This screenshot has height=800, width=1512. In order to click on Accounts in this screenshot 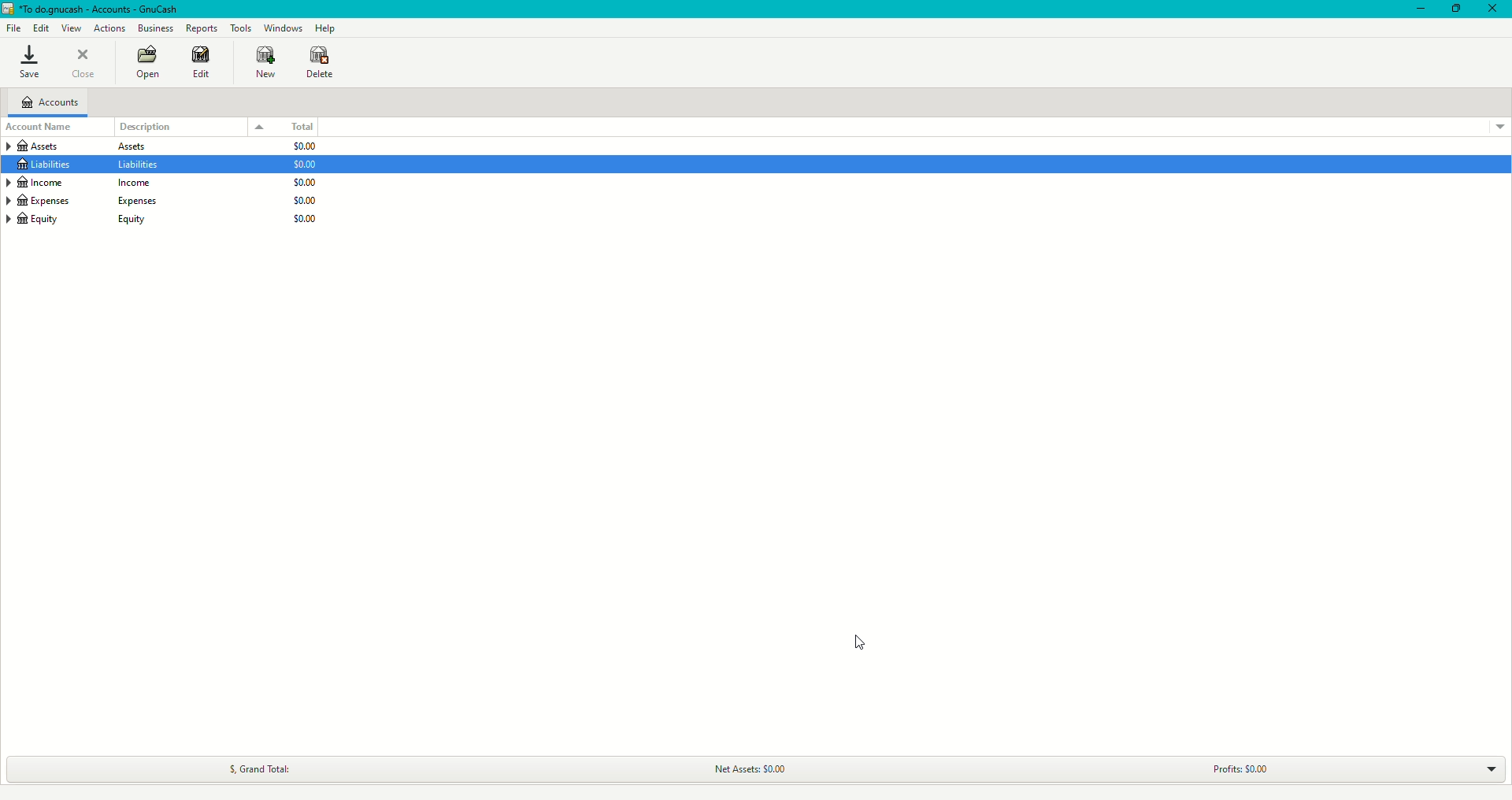, I will do `click(54, 102)`.